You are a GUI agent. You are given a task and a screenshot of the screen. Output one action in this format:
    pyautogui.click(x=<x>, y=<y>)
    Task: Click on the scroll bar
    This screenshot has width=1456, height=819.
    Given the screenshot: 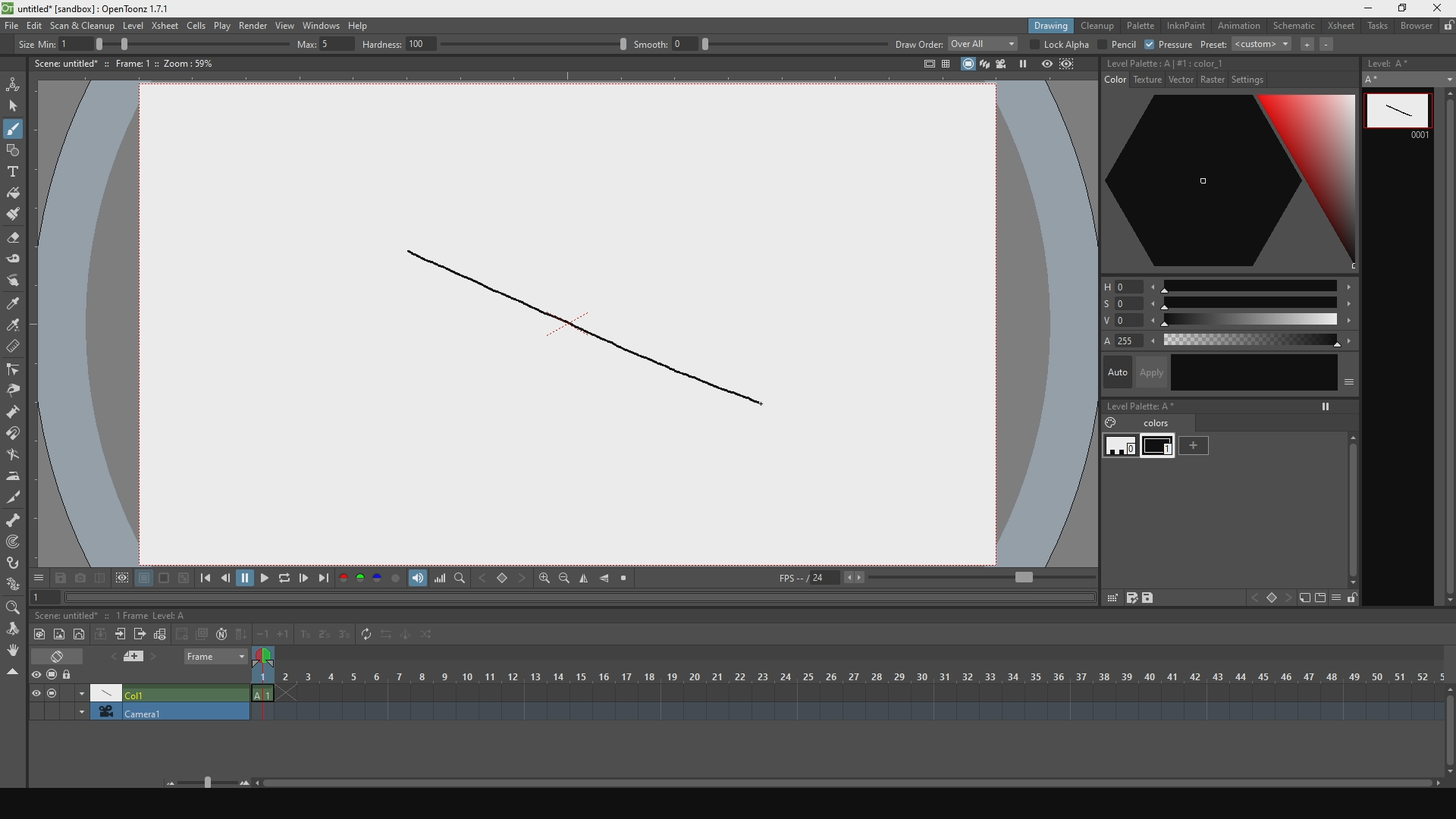 What is the action you would take?
    pyautogui.click(x=1447, y=730)
    